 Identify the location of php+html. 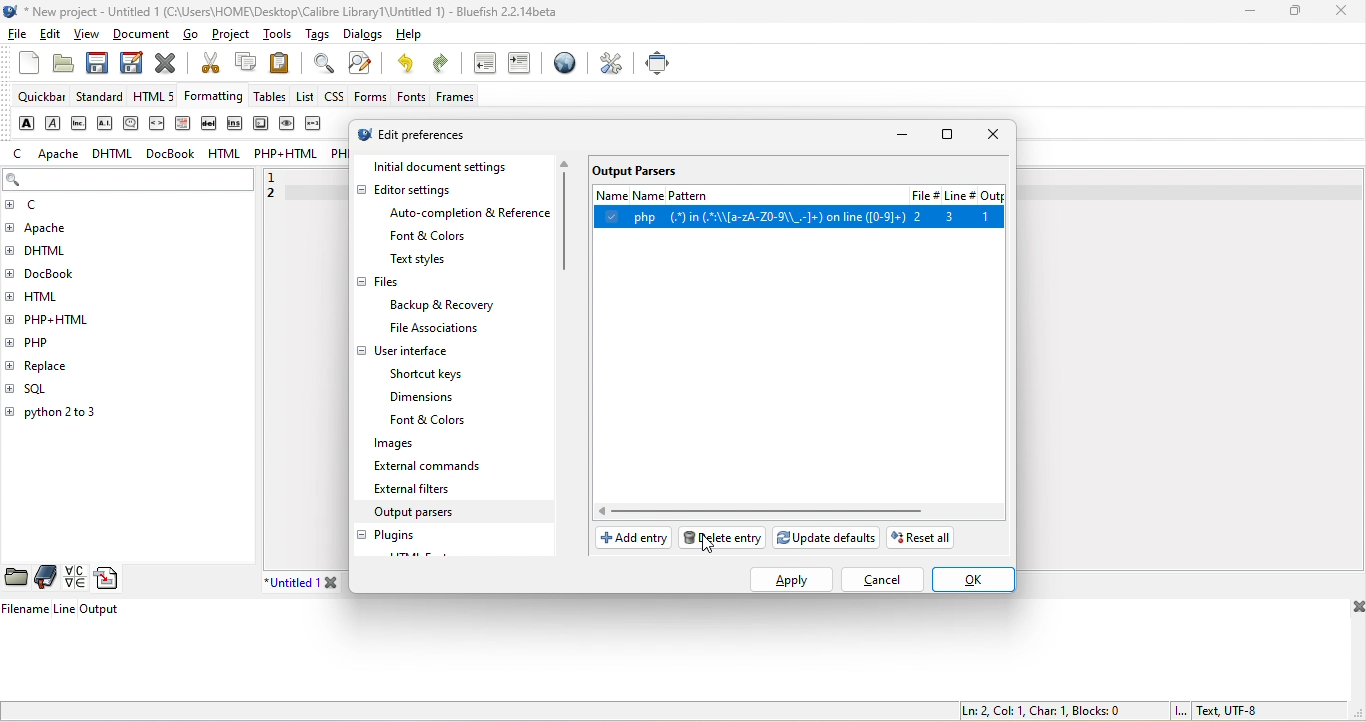
(65, 318).